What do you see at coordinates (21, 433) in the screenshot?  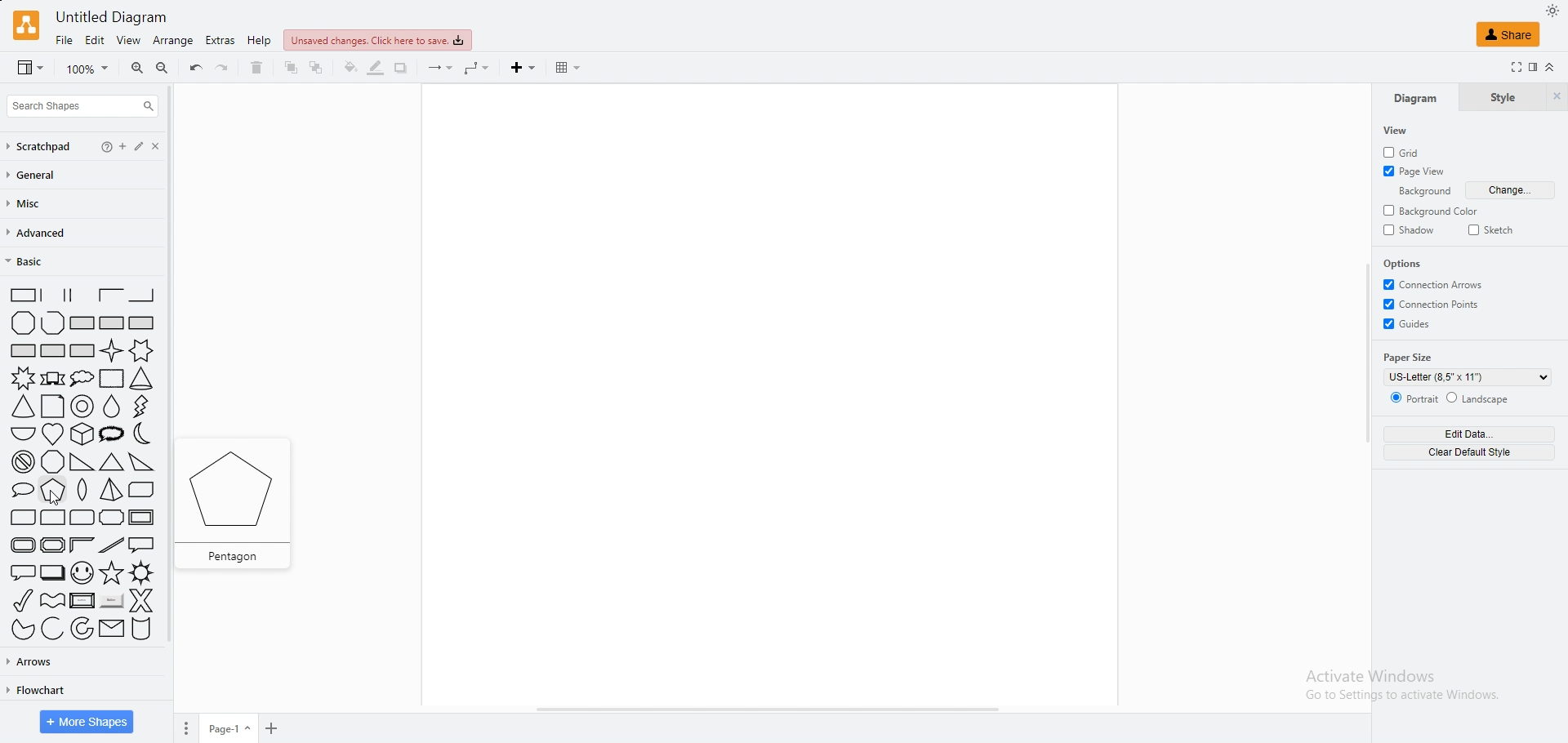 I see `half circle` at bounding box center [21, 433].